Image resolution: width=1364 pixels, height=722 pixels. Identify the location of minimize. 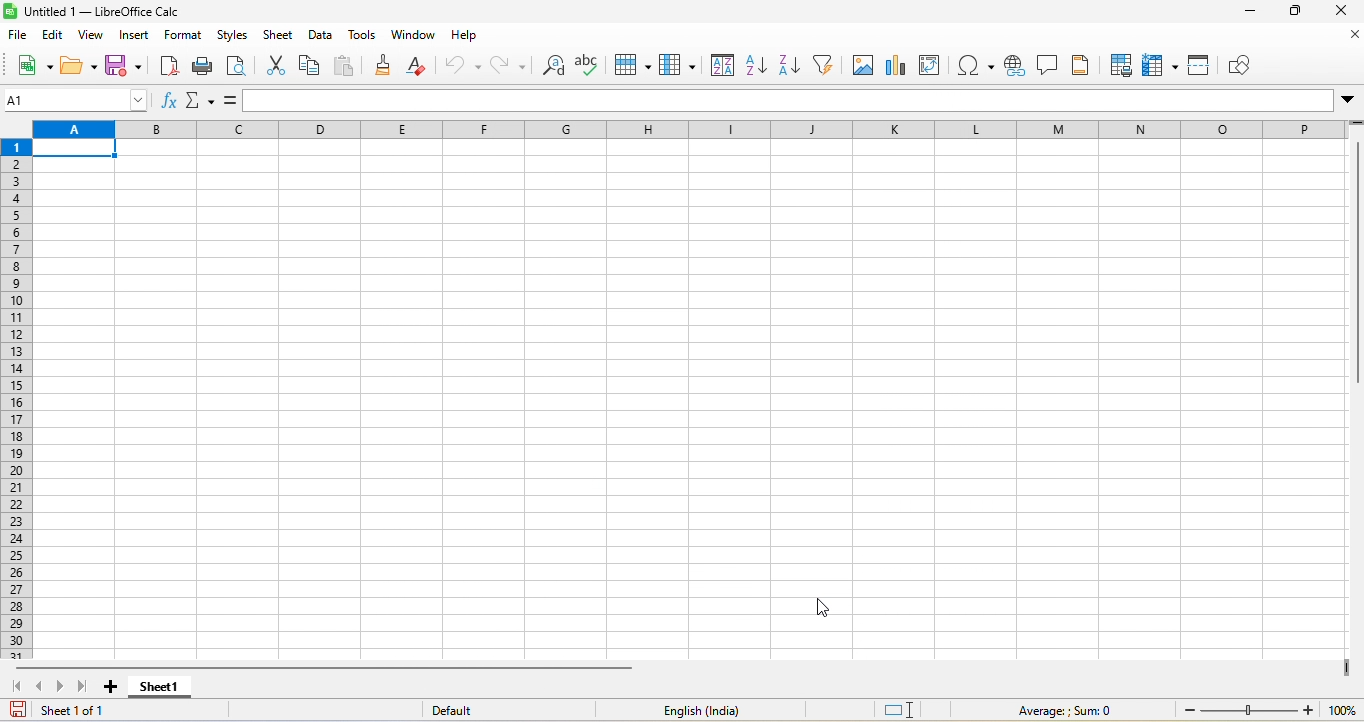
(1254, 13).